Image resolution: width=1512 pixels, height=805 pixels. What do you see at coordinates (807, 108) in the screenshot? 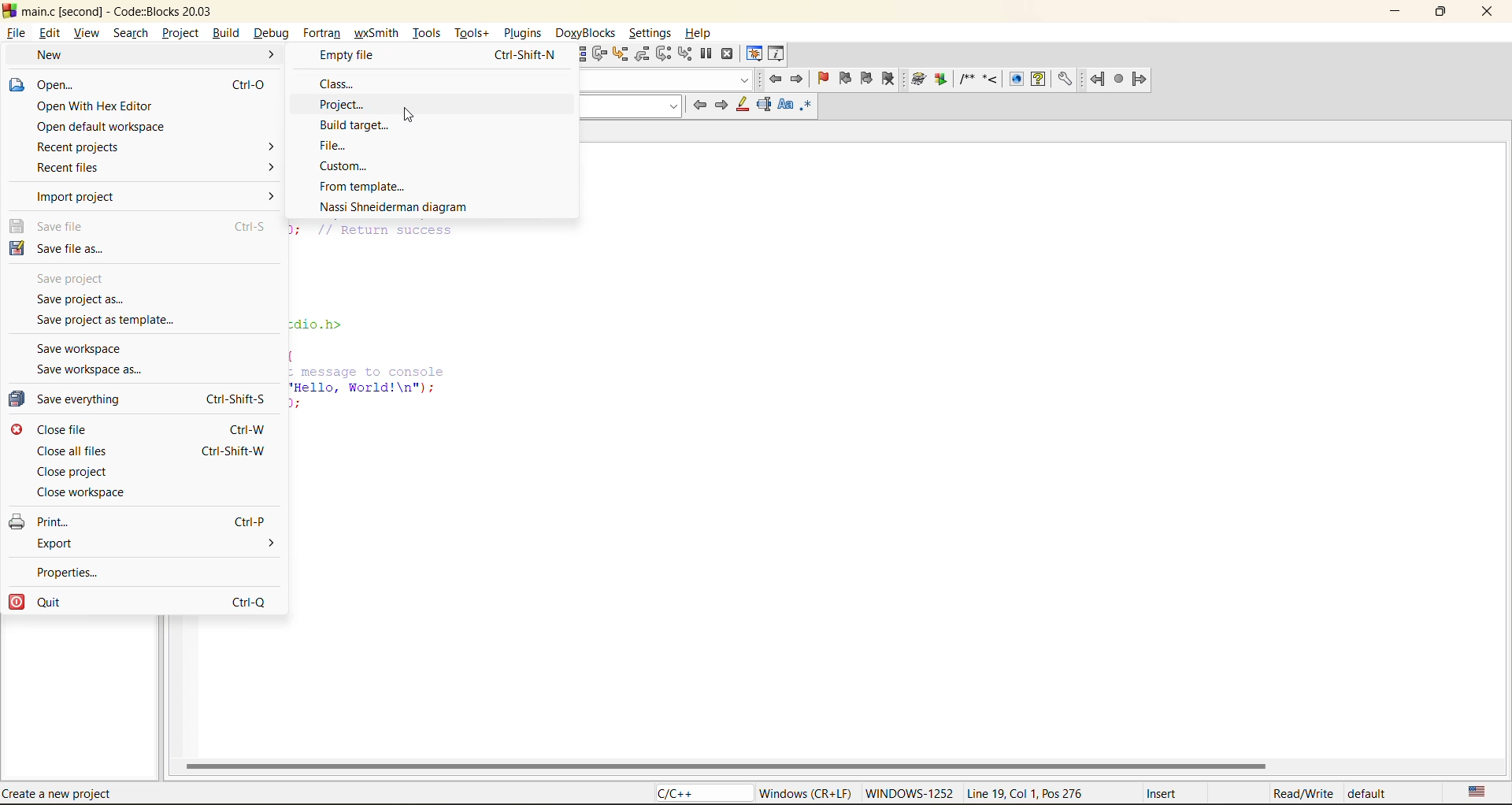
I see `use regex` at bounding box center [807, 108].